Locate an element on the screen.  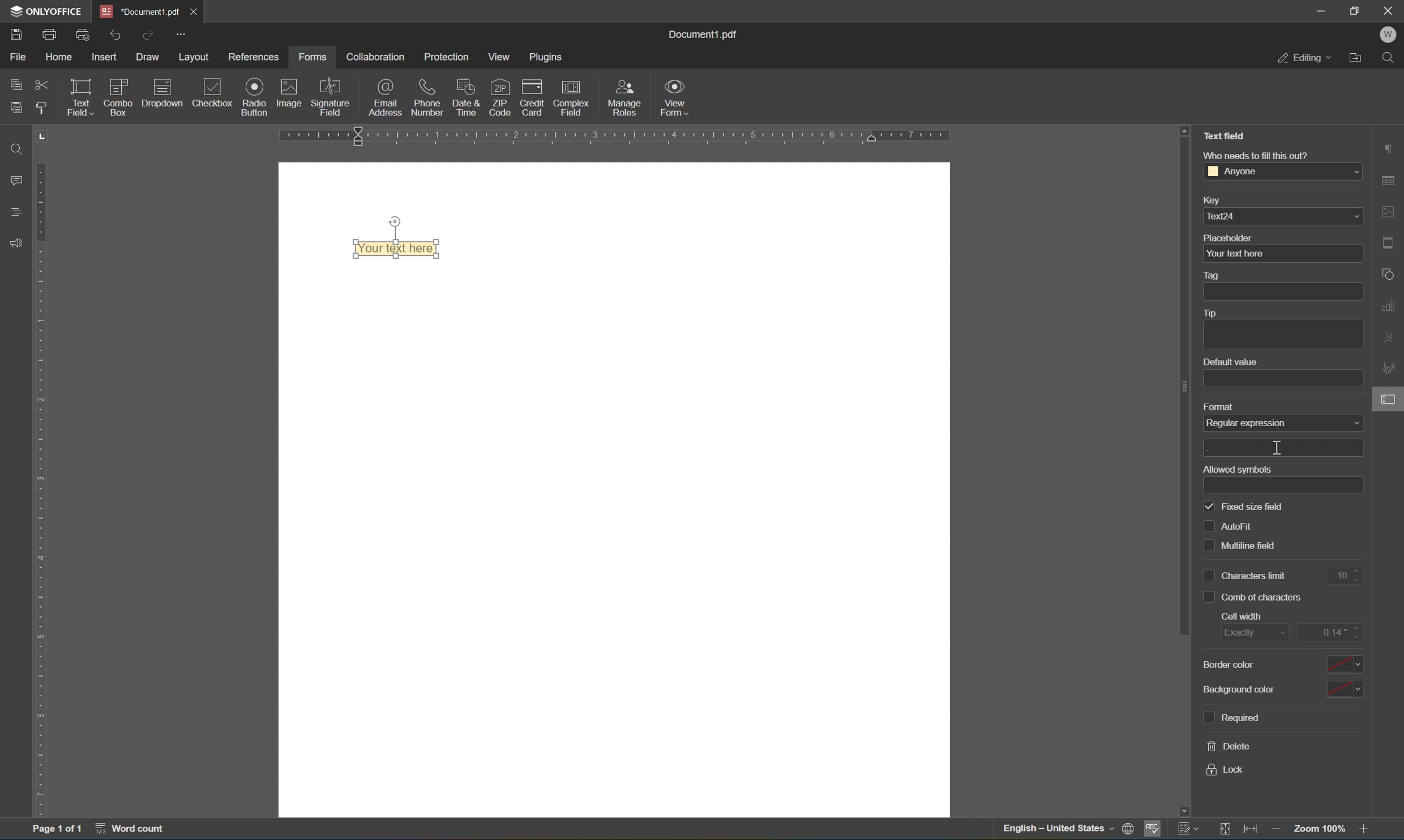
checkbox is located at coordinates (215, 94).